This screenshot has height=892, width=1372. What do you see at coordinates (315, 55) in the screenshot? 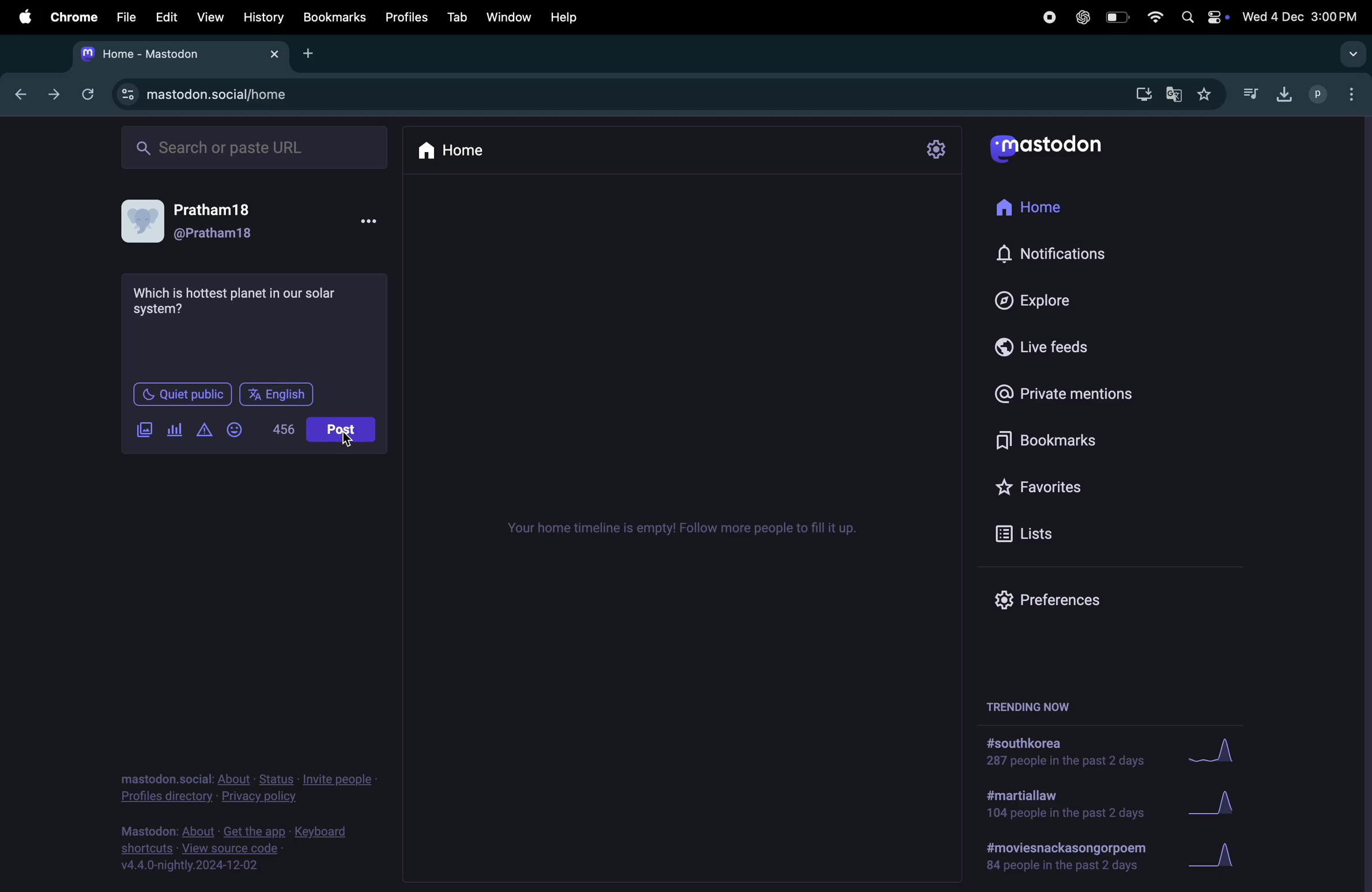
I see `add tab` at bounding box center [315, 55].